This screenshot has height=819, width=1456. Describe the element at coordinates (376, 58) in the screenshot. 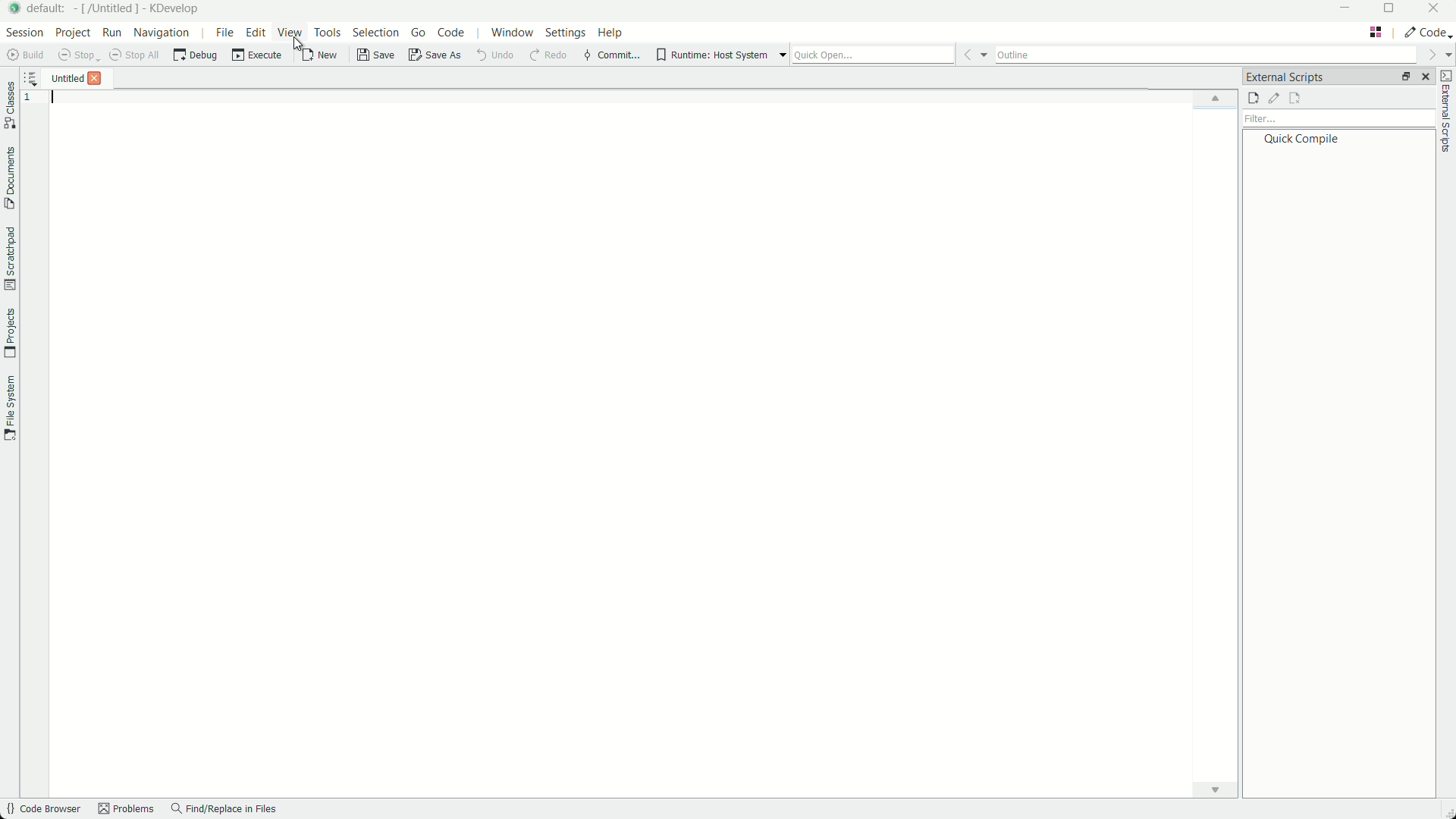

I see `save` at that location.